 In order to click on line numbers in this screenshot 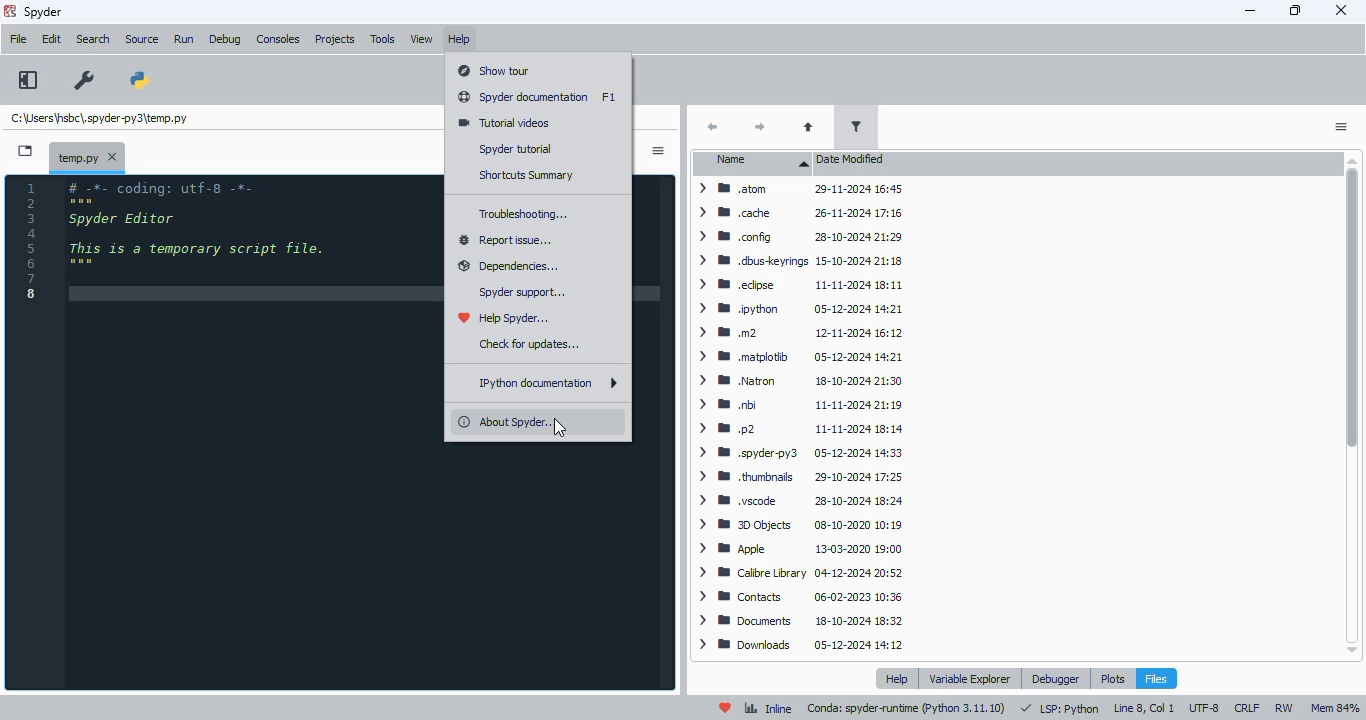, I will do `click(33, 241)`.